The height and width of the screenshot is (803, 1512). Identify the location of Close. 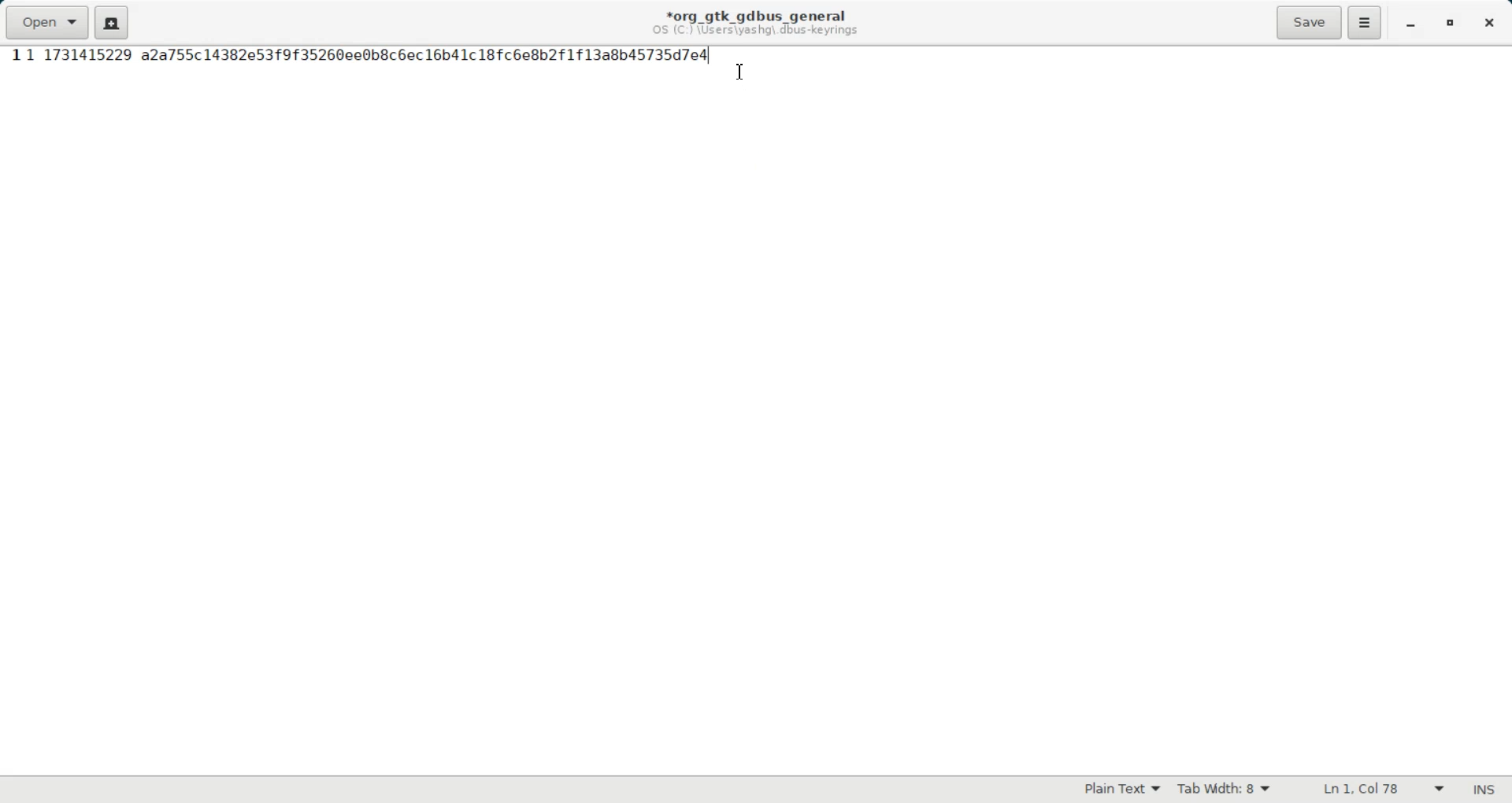
(1488, 24).